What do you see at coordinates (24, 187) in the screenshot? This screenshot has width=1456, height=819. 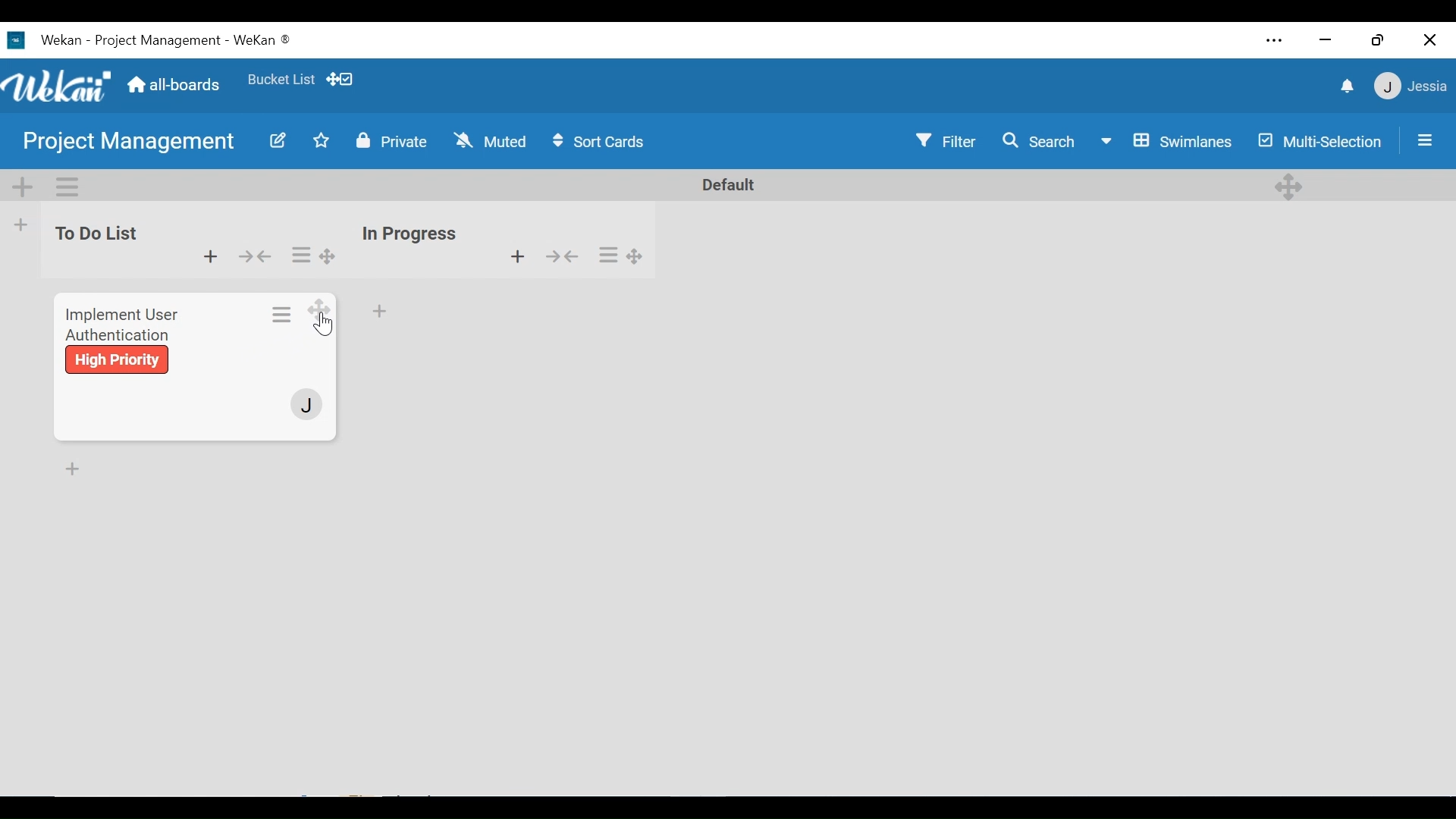 I see `add swimlane` at bounding box center [24, 187].